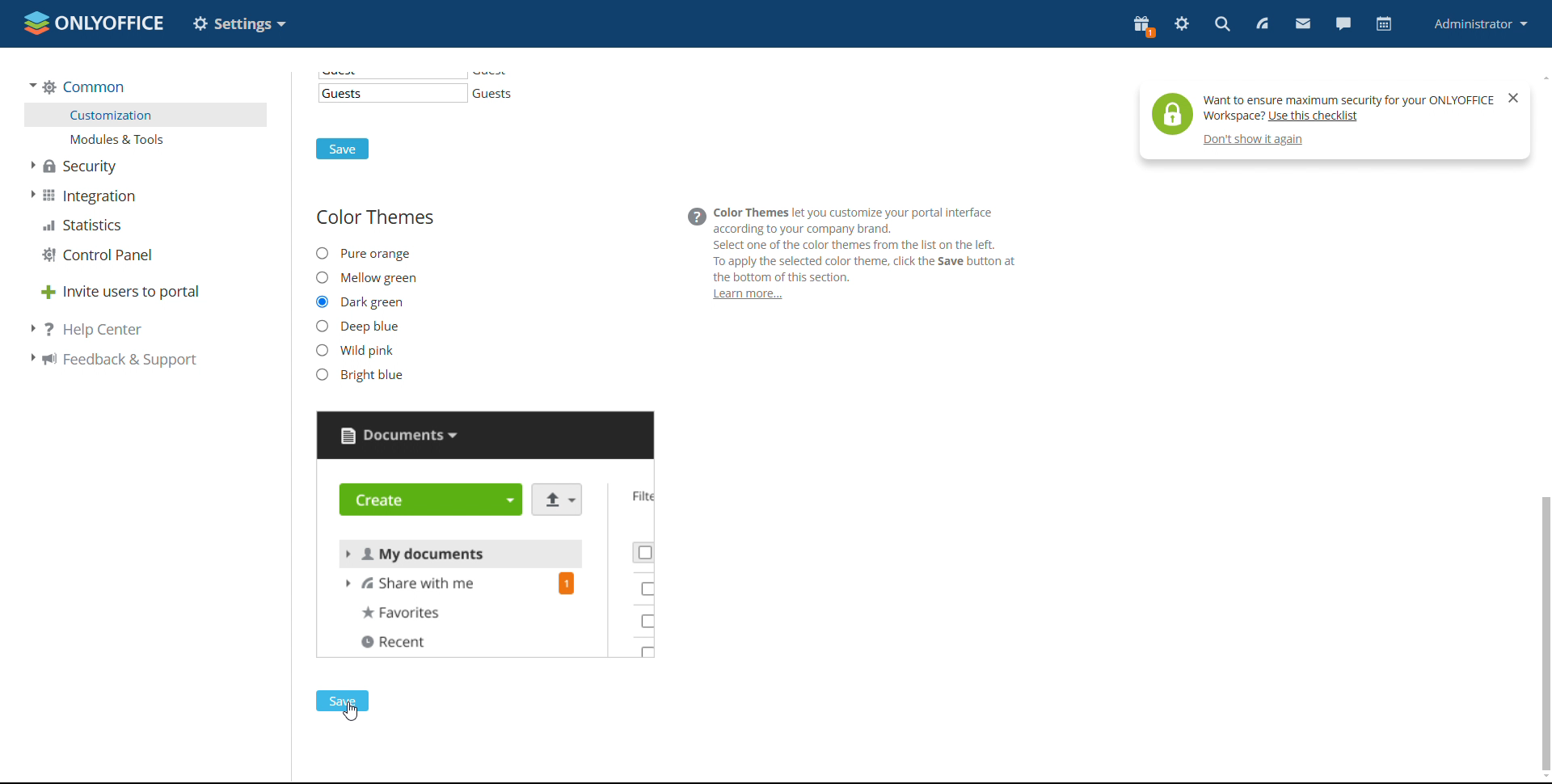  Describe the element at coordinates (342, 150) in the screenshot. I see `save` at that location.